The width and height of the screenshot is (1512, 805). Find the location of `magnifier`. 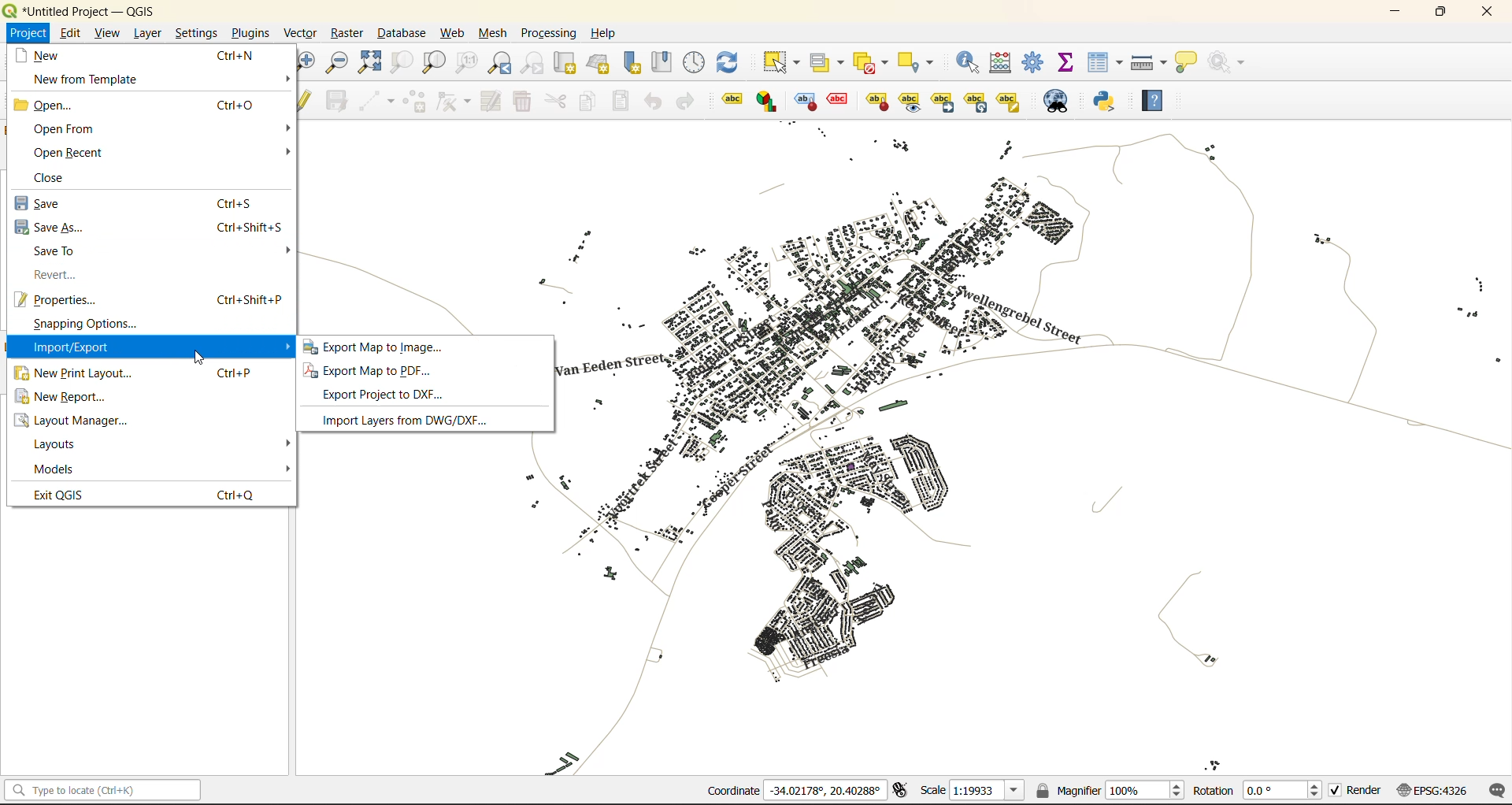

magnifier is located at coordinates (1110, 788).